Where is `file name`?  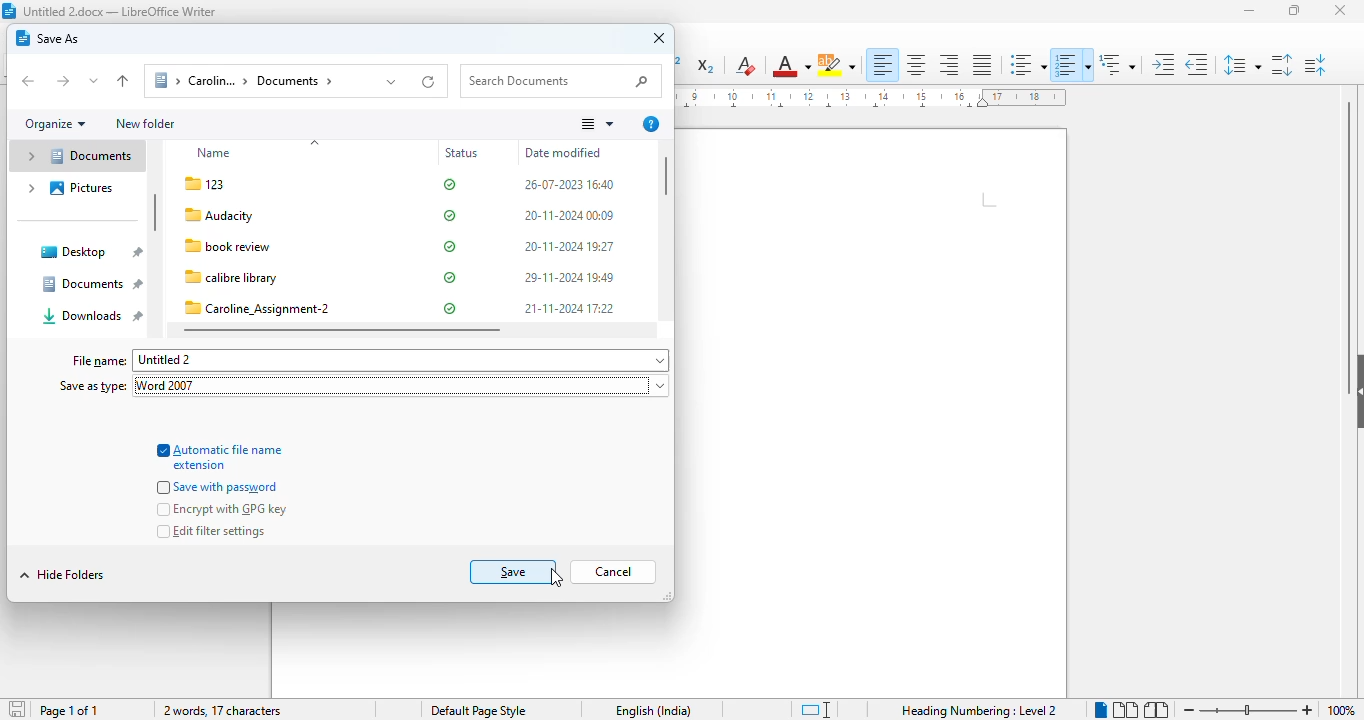 file name is located at coordinates (260, 247).